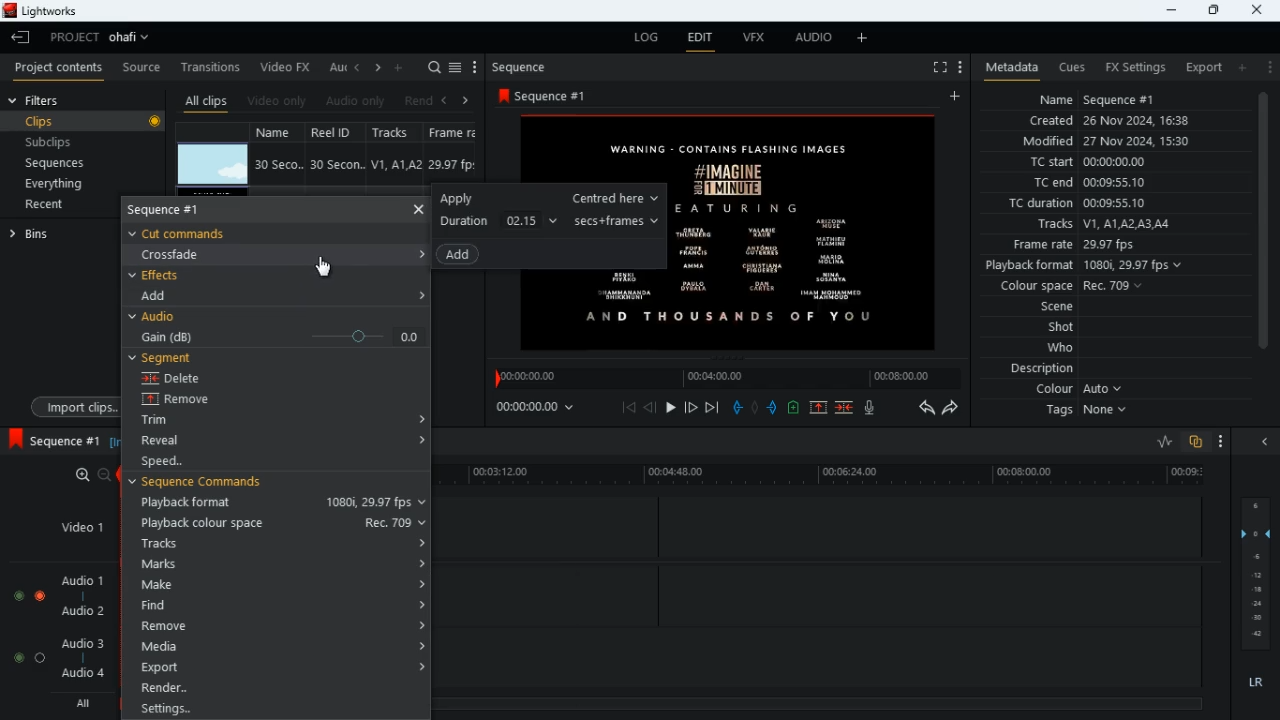  Describe the element at coordinates (1098, 97) in the screenshot. I see `name` at that location.